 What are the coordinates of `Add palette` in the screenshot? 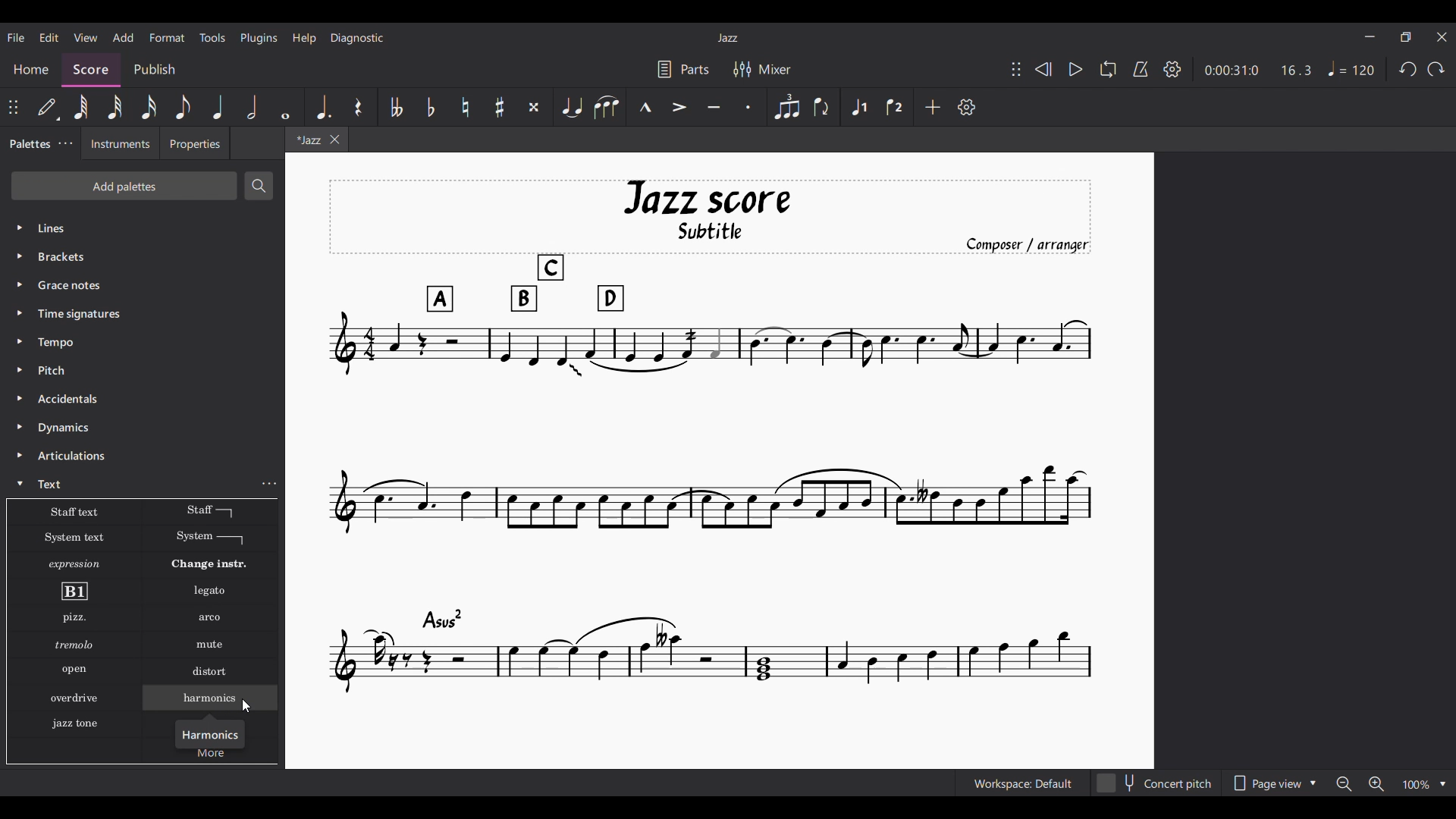 It's located at (124, 186).